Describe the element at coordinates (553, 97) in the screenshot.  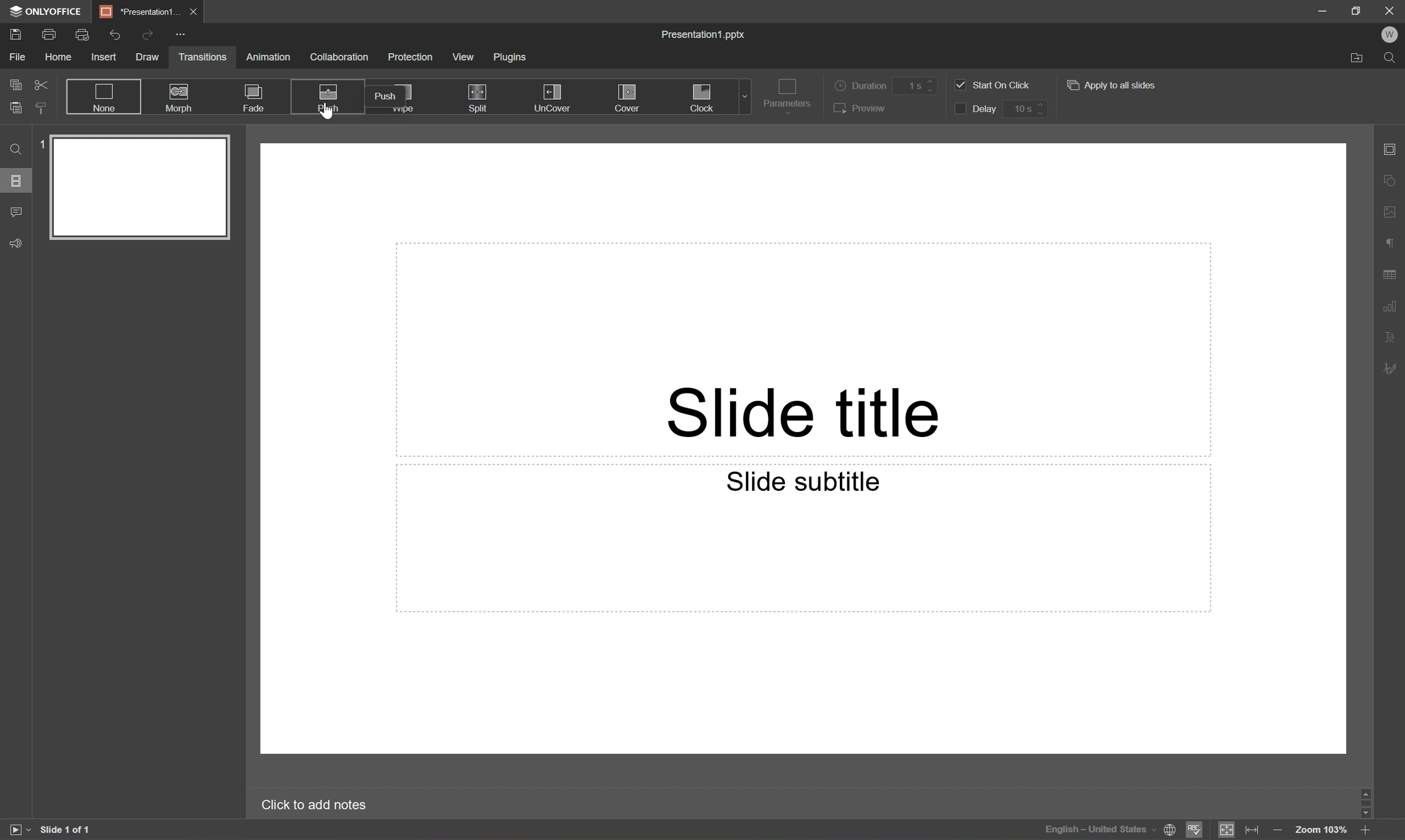
I see `UnCover` at that location.